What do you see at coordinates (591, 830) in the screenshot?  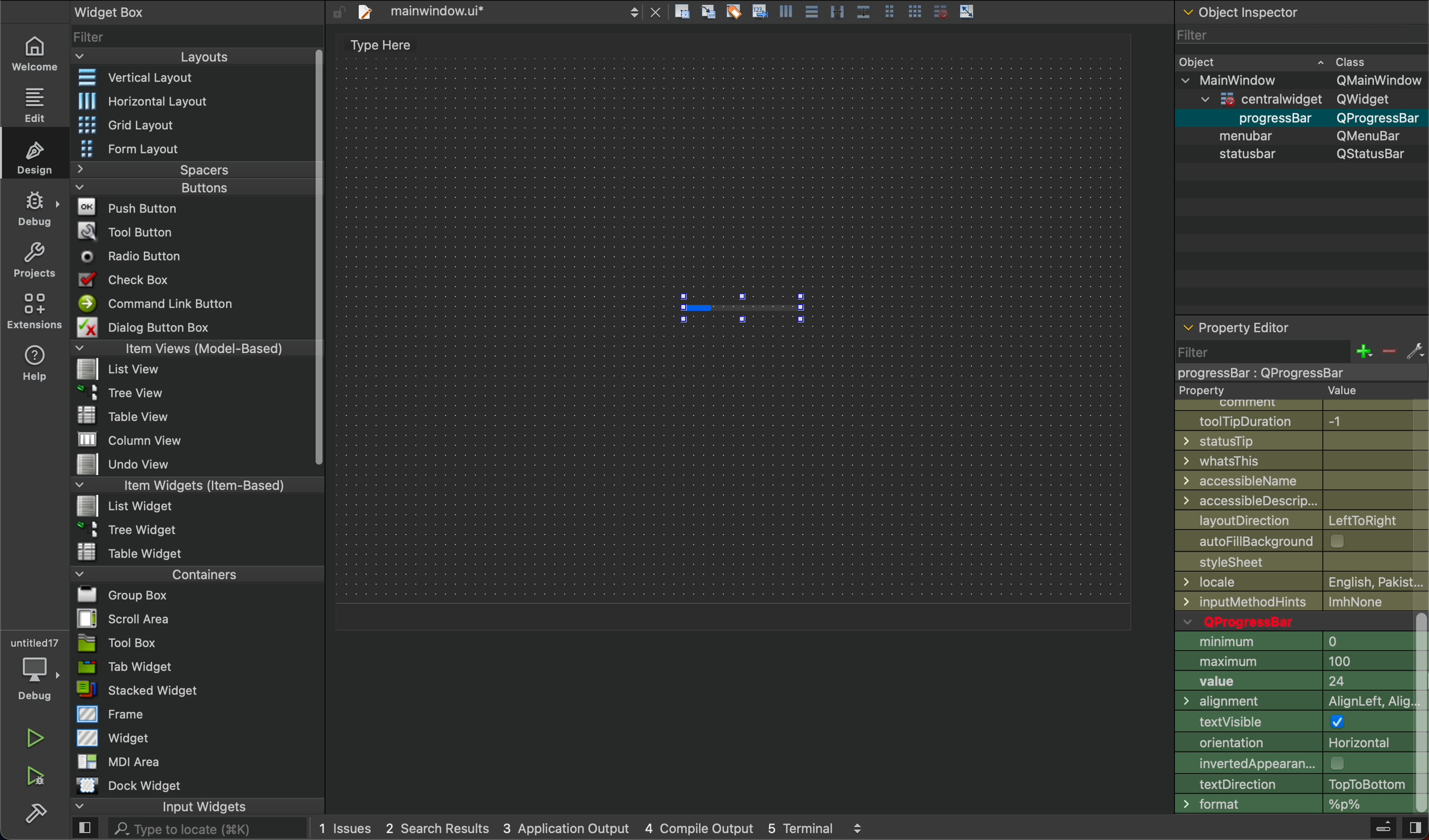 I see `logs` at bounding box center [591, 830].